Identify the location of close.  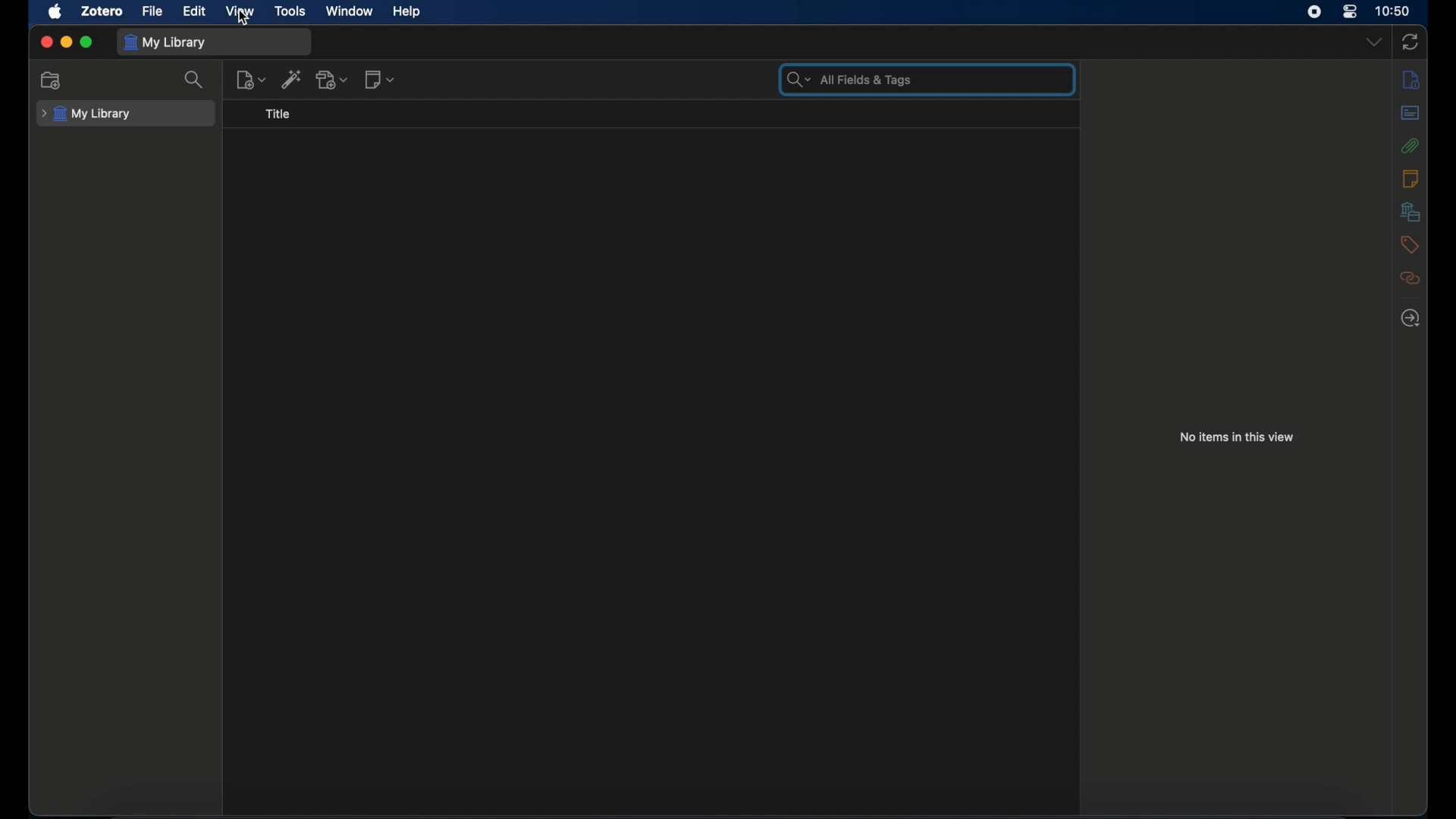
(45, 41).